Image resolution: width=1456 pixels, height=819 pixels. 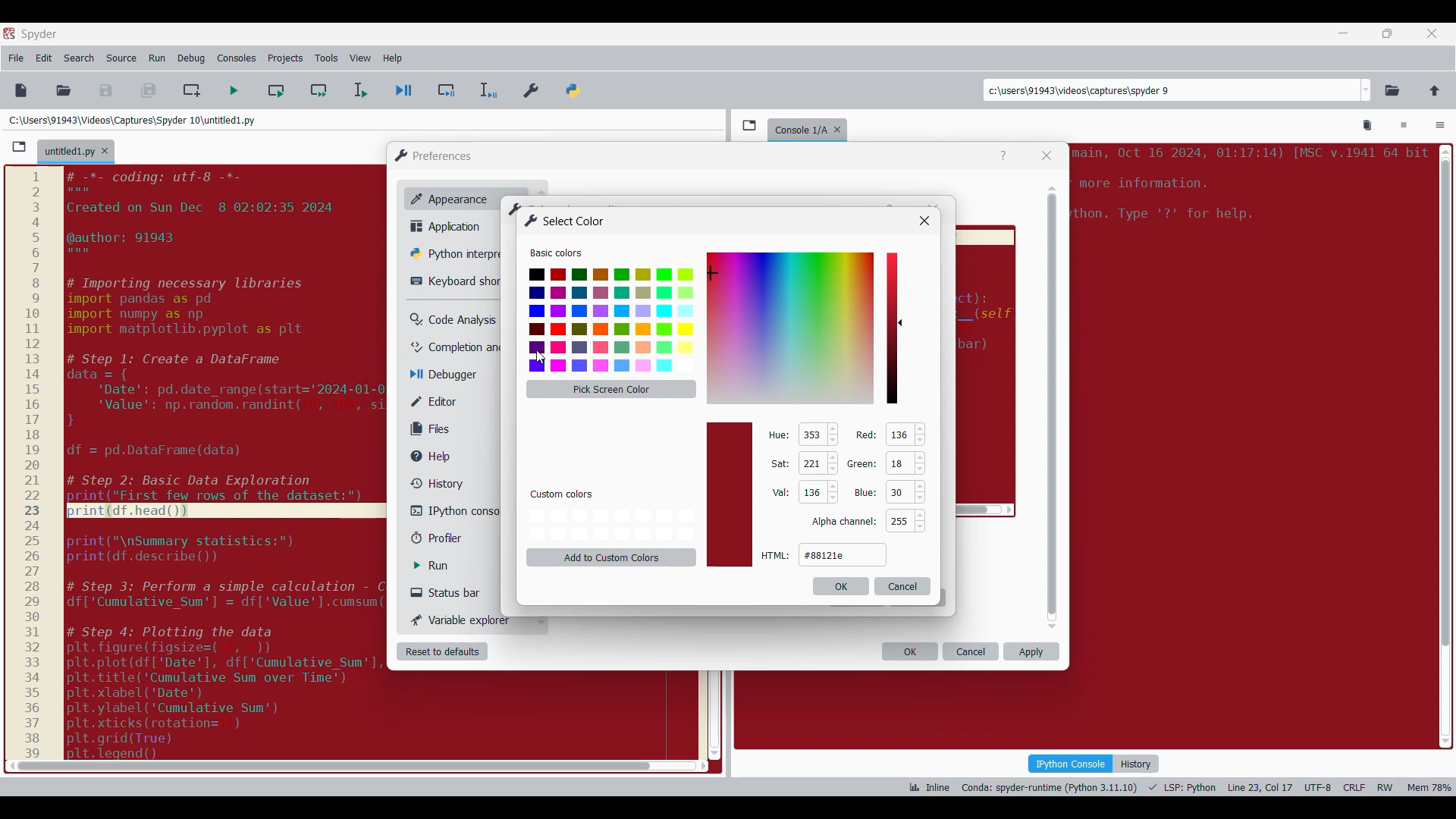 What do you see at coordinates (32, 463) in the screenshot?
I see `scale` at bounding box center [32, 463].